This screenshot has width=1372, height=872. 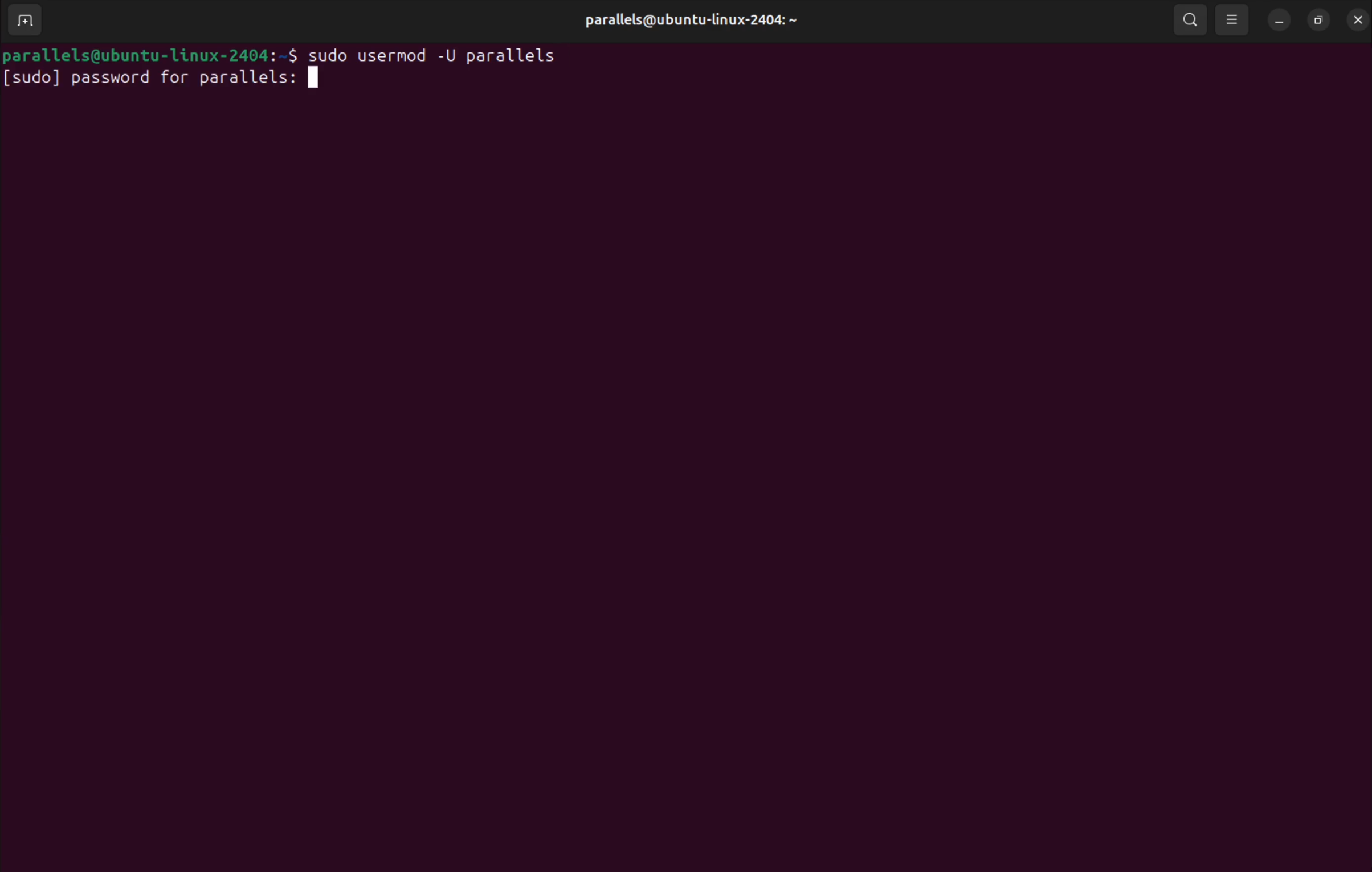 I want to click on add terminal window, so click(x=30, y=21).